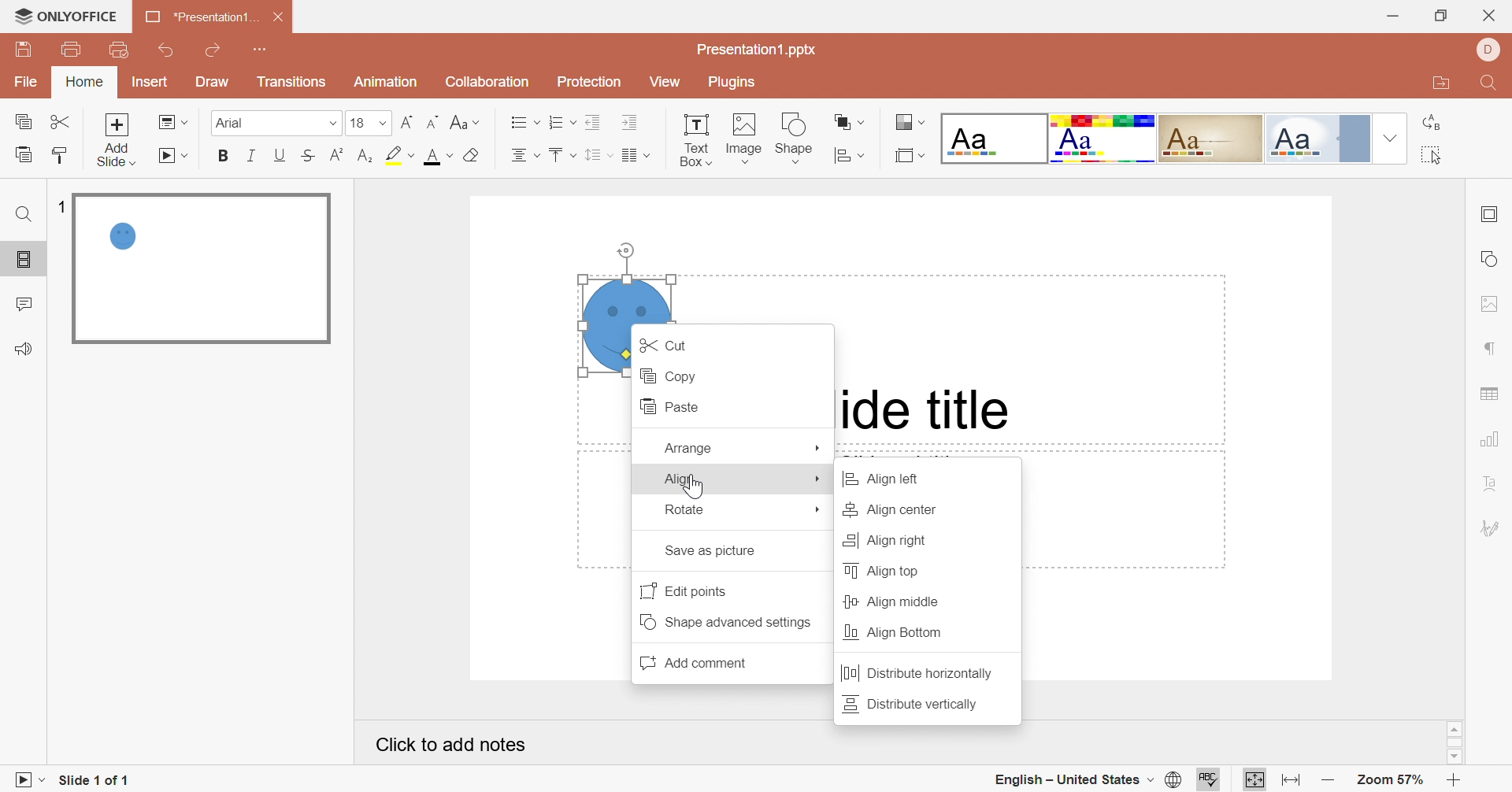  Describe the element at coordinates (818, 447) in the screenshot. I see `More` at that location.